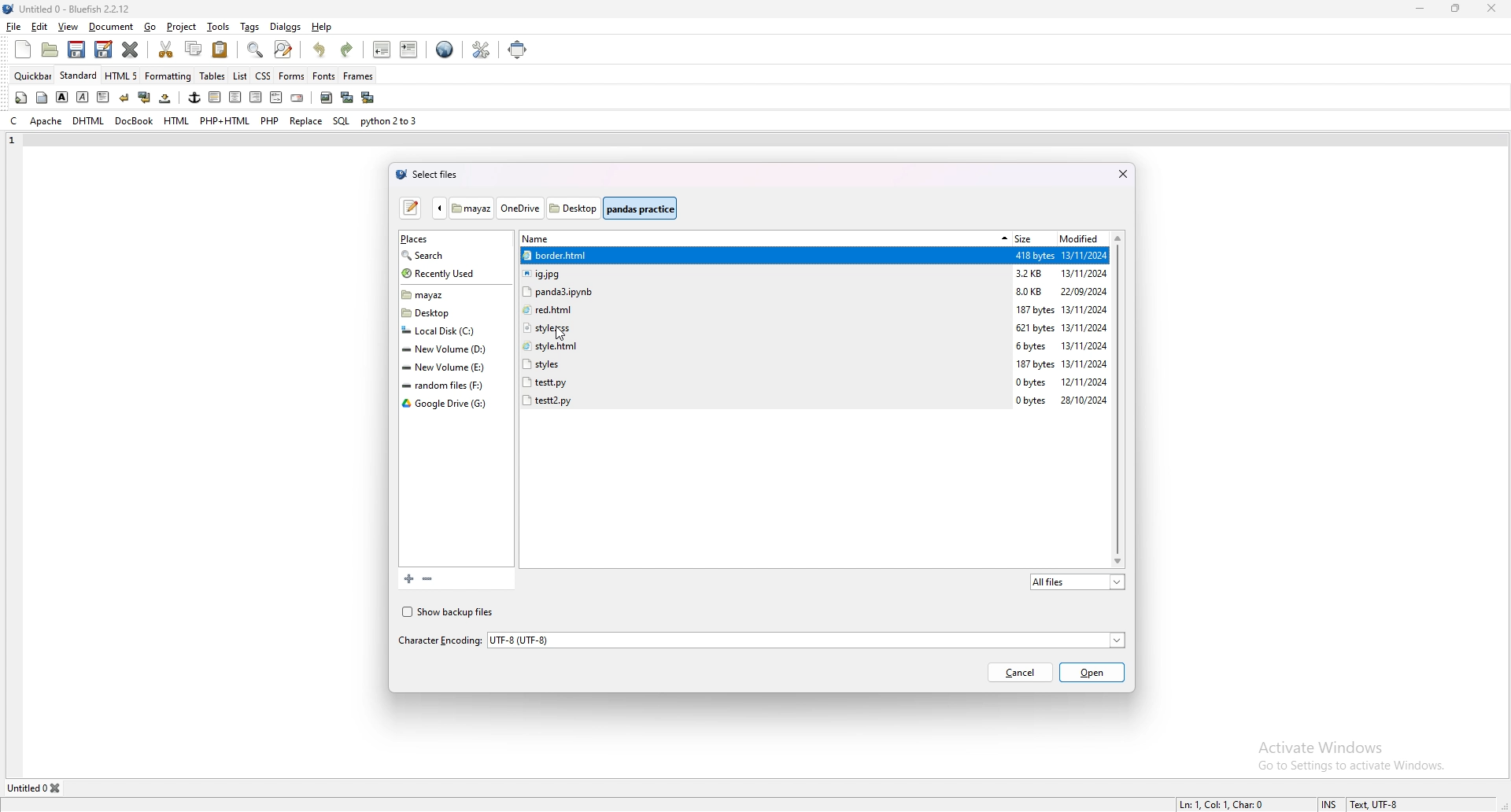 This screenshot has width=1511, height=812. What do you see at coordinates (78, 76) in the screenshot?
I see `standard` at bounding box center [78, 76].